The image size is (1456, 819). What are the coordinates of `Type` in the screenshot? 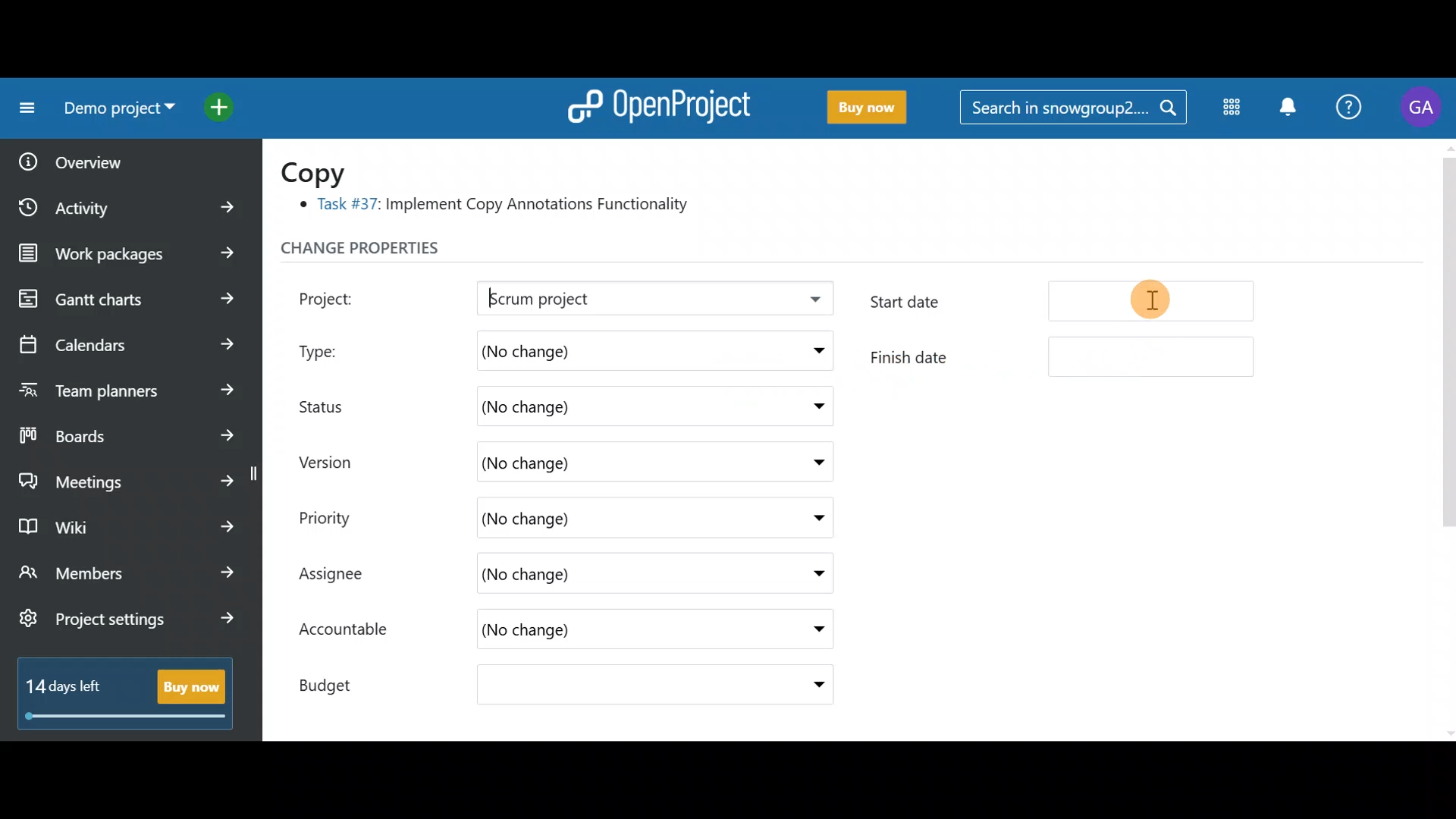 It's located at (335, 347).